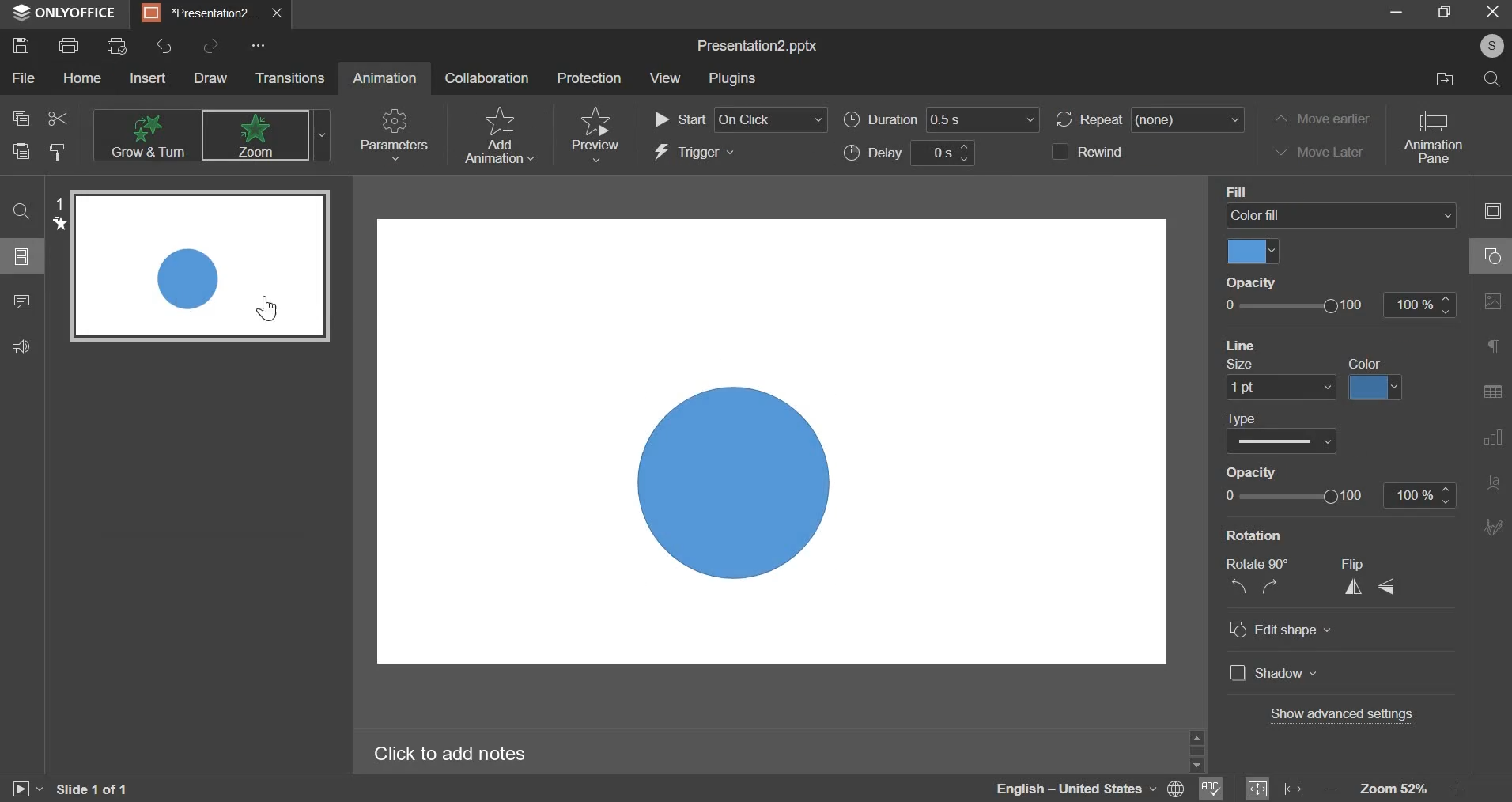  Describe the element at coordinates (1487, 47) in the screenshot. I see `©` at that location.